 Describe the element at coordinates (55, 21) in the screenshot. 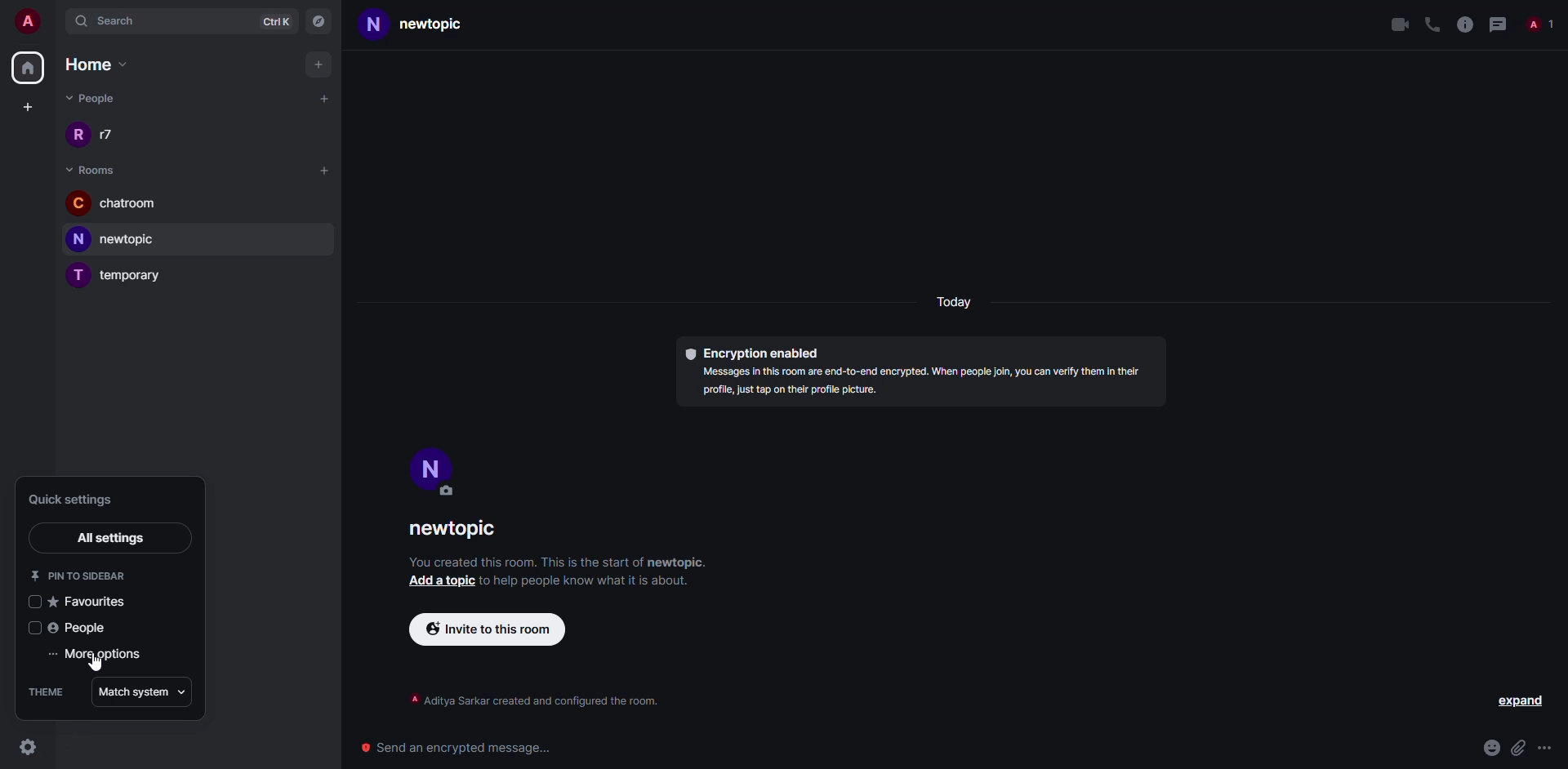

I see `expand` at that location.